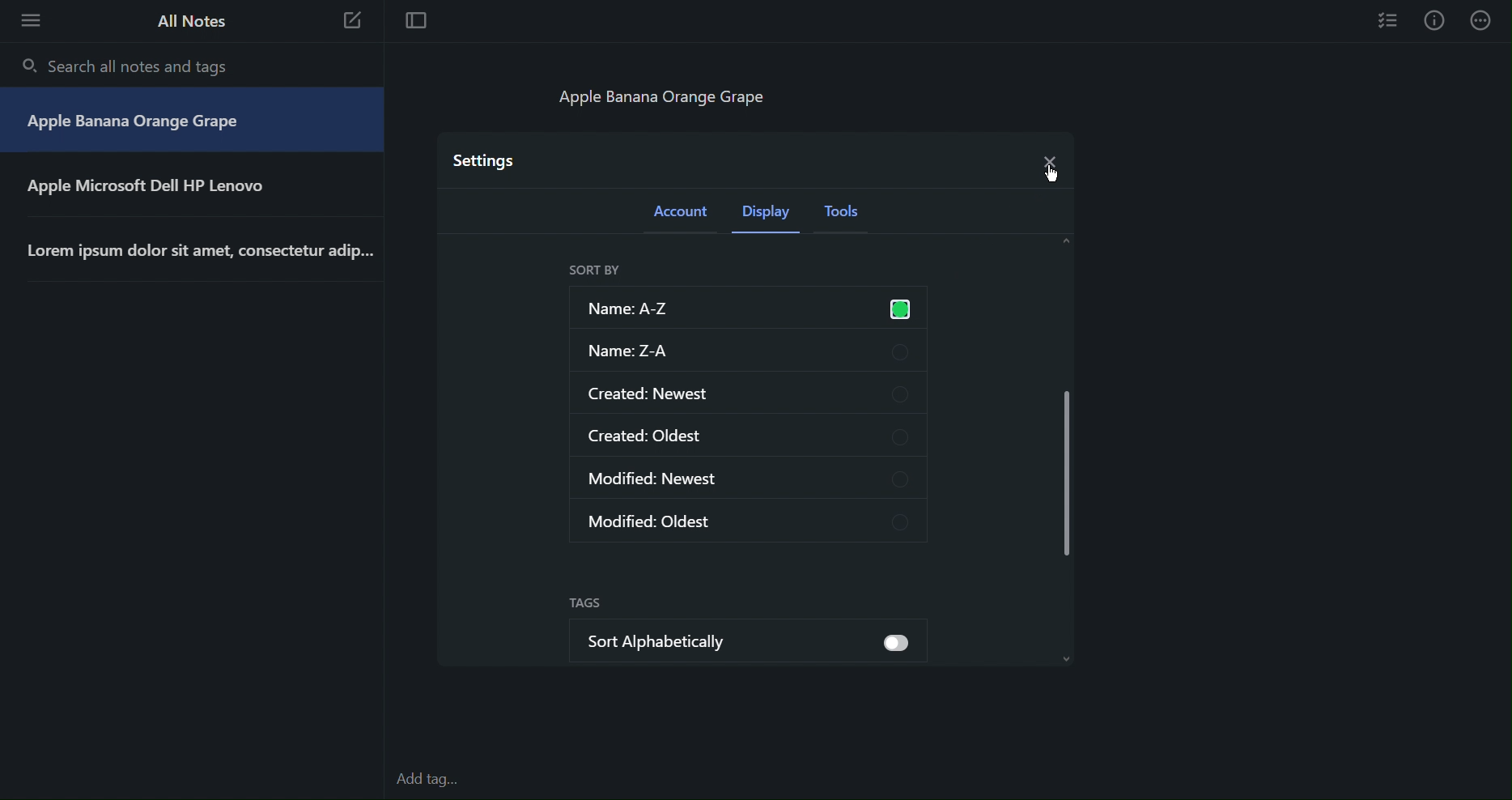 The image size is (1512, 800). What do you see at coordinates (435, 781) in the screenshot?
I see `Add tag` at bounding box center [435, 781].